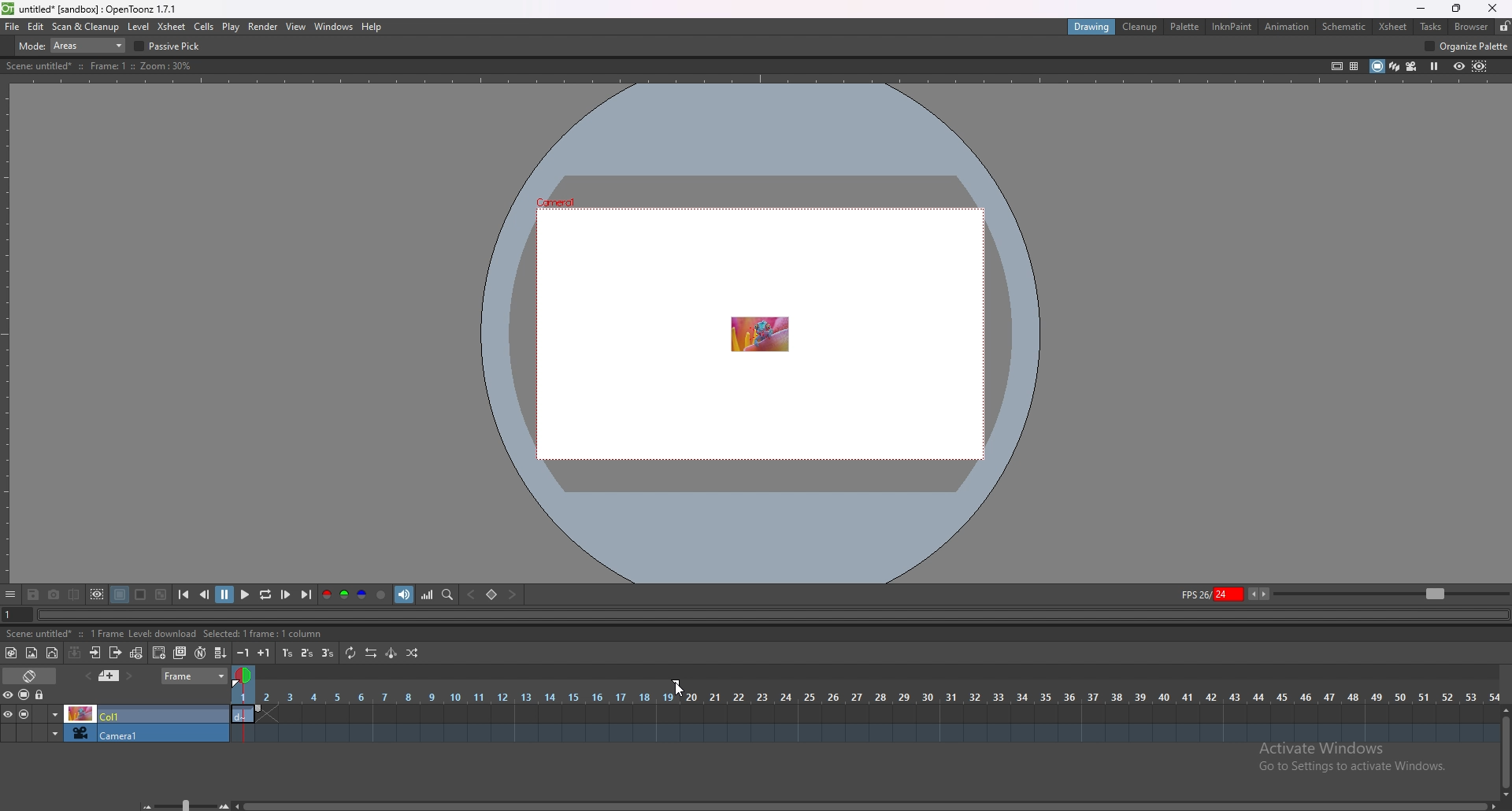  I want to click on save, so click(33, 595).